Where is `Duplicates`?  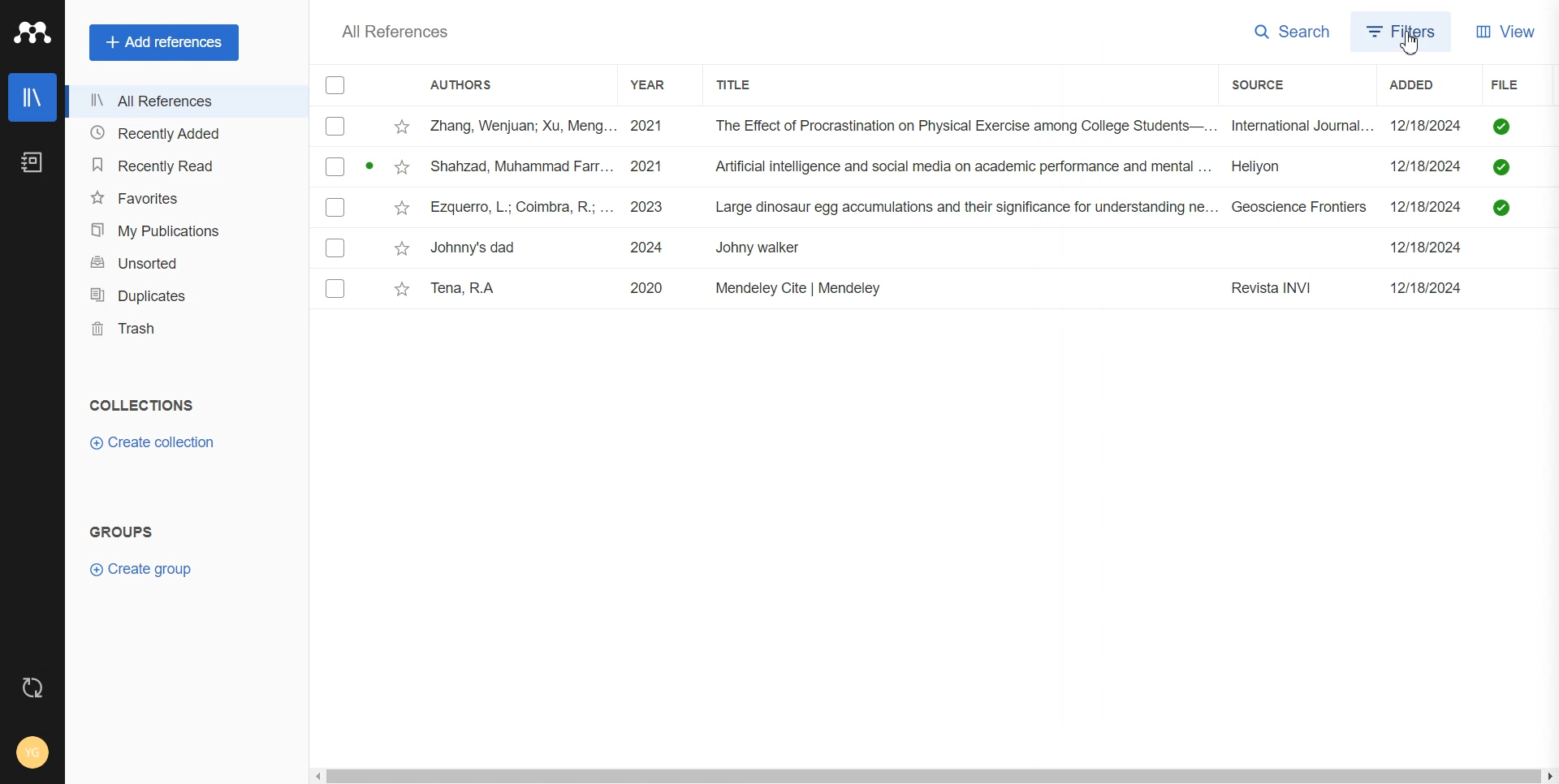 Duplicates is located at coordinates (184, 294).